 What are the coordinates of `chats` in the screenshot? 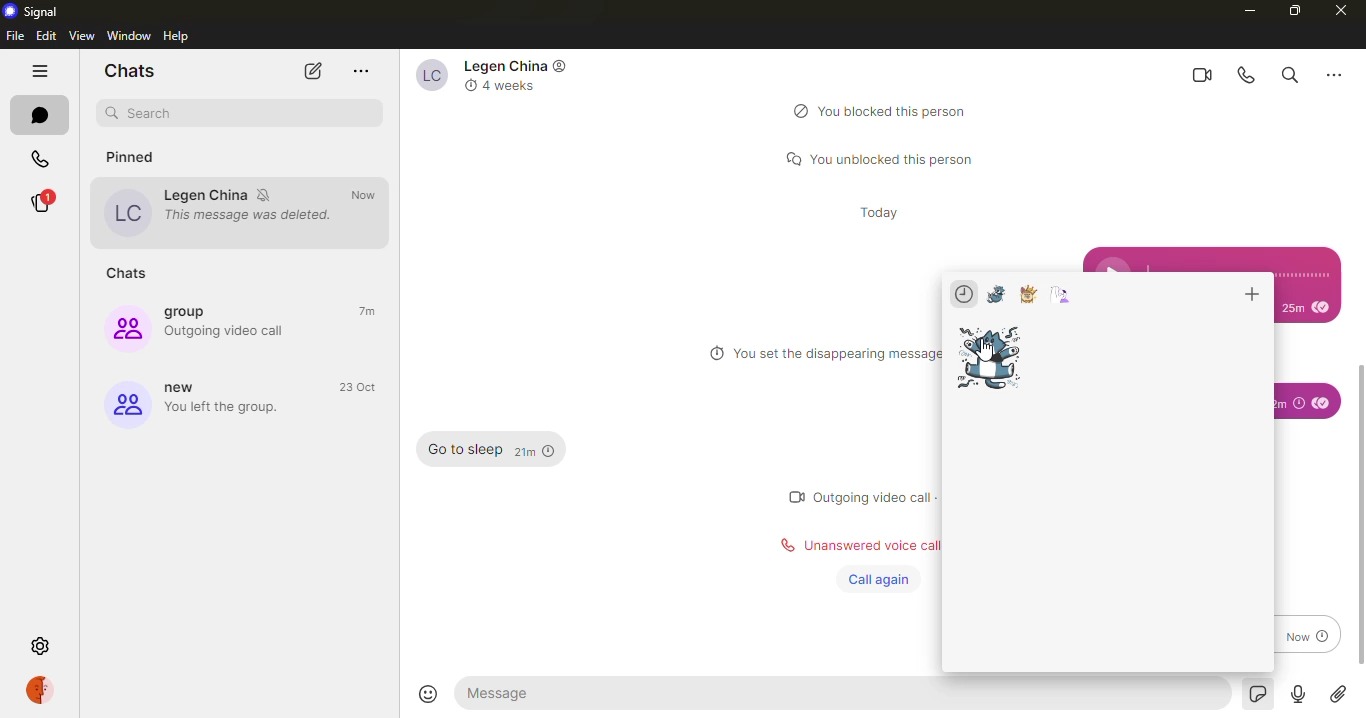 It's located at (132, 275).